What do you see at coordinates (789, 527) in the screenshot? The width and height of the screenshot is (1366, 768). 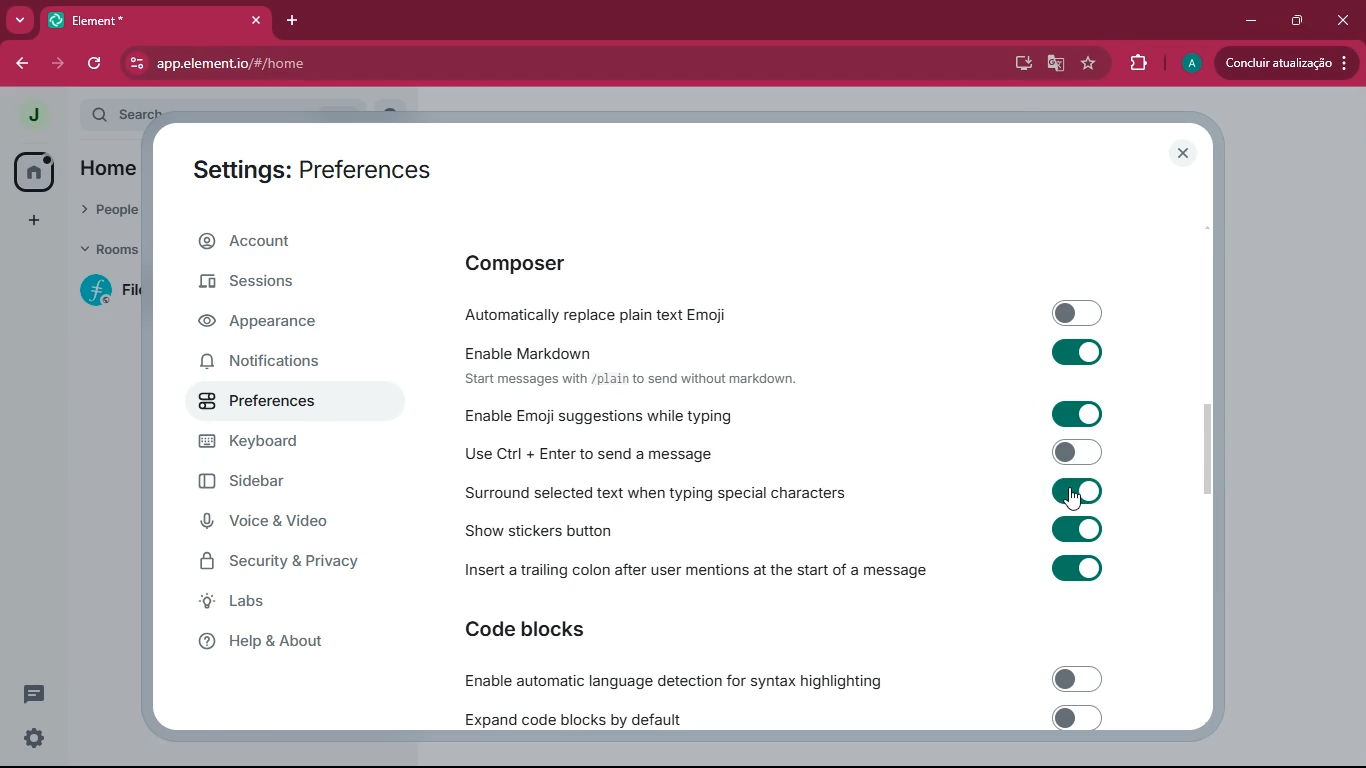 I see `show stickers button` at bounding box center [789, 527].